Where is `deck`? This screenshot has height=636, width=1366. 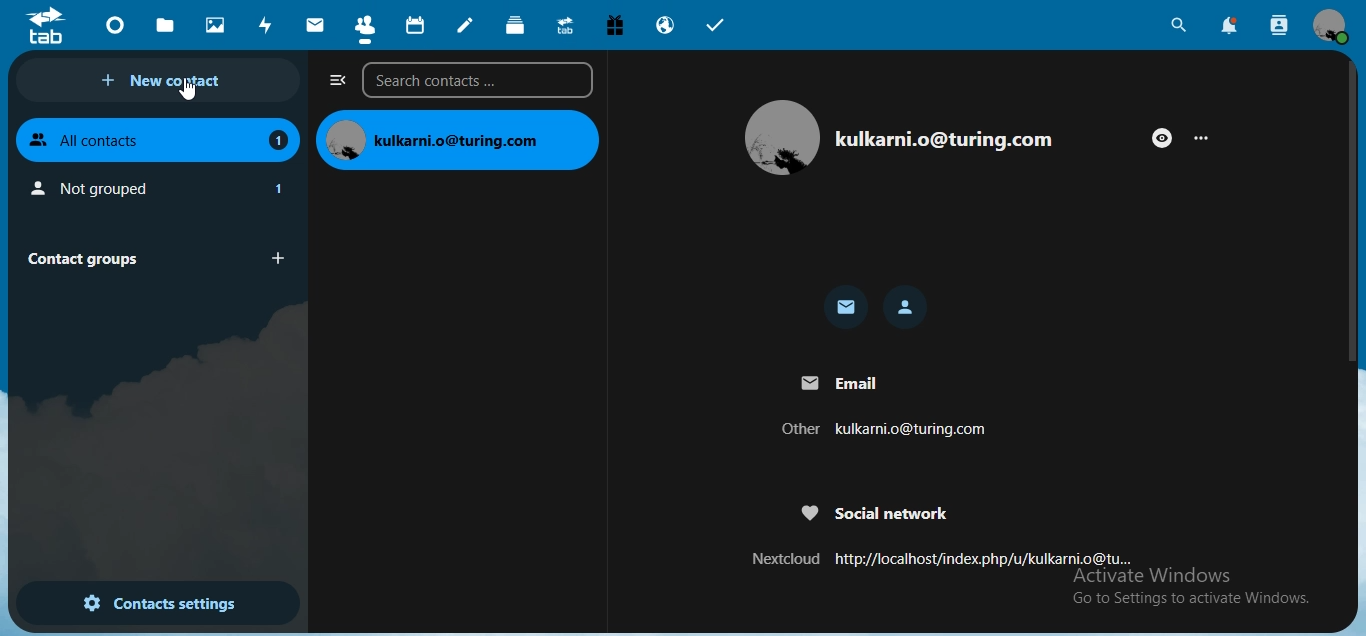 deck is located at coordinates (518, 26).